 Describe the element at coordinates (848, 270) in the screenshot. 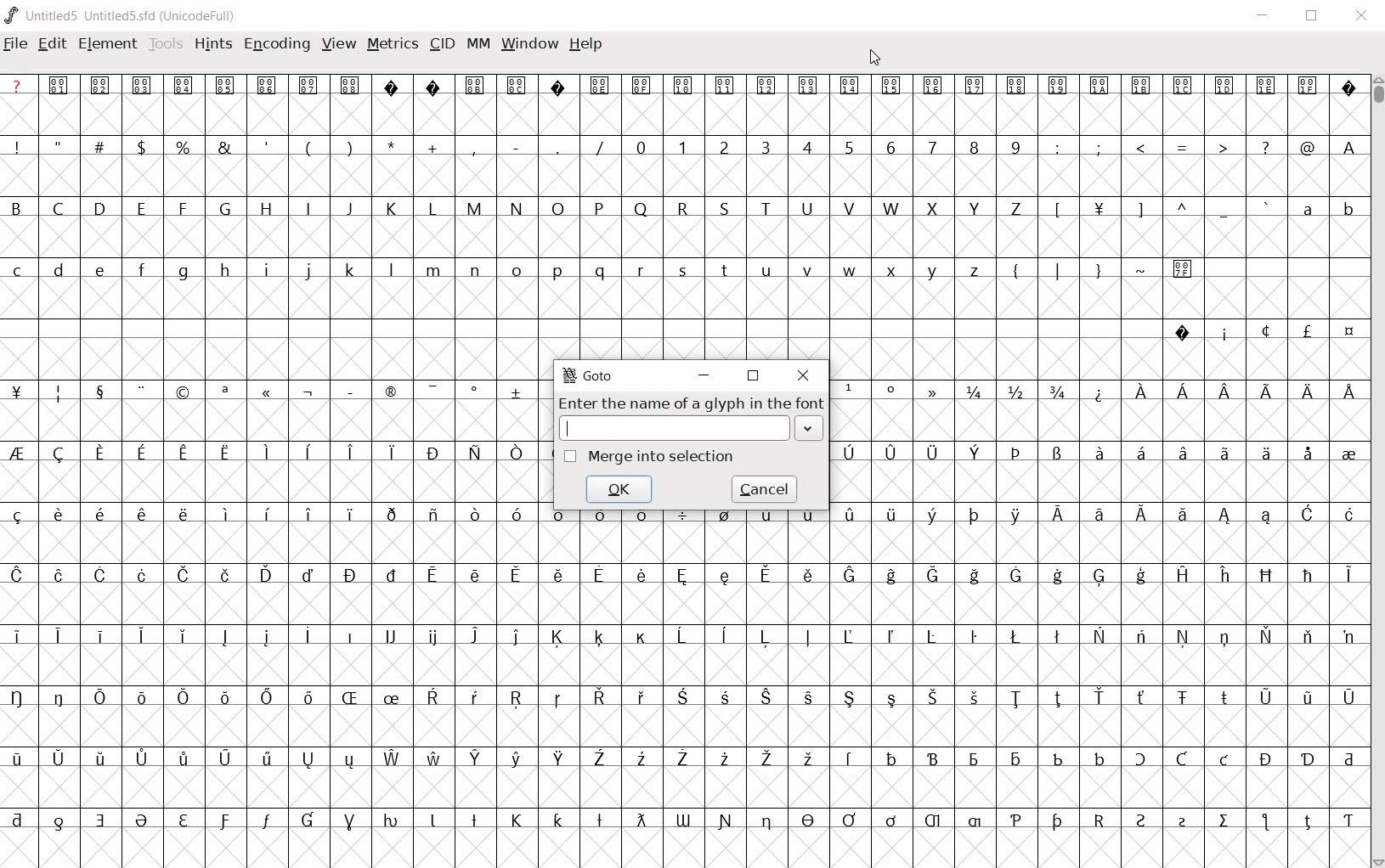

I see `w` at that location.